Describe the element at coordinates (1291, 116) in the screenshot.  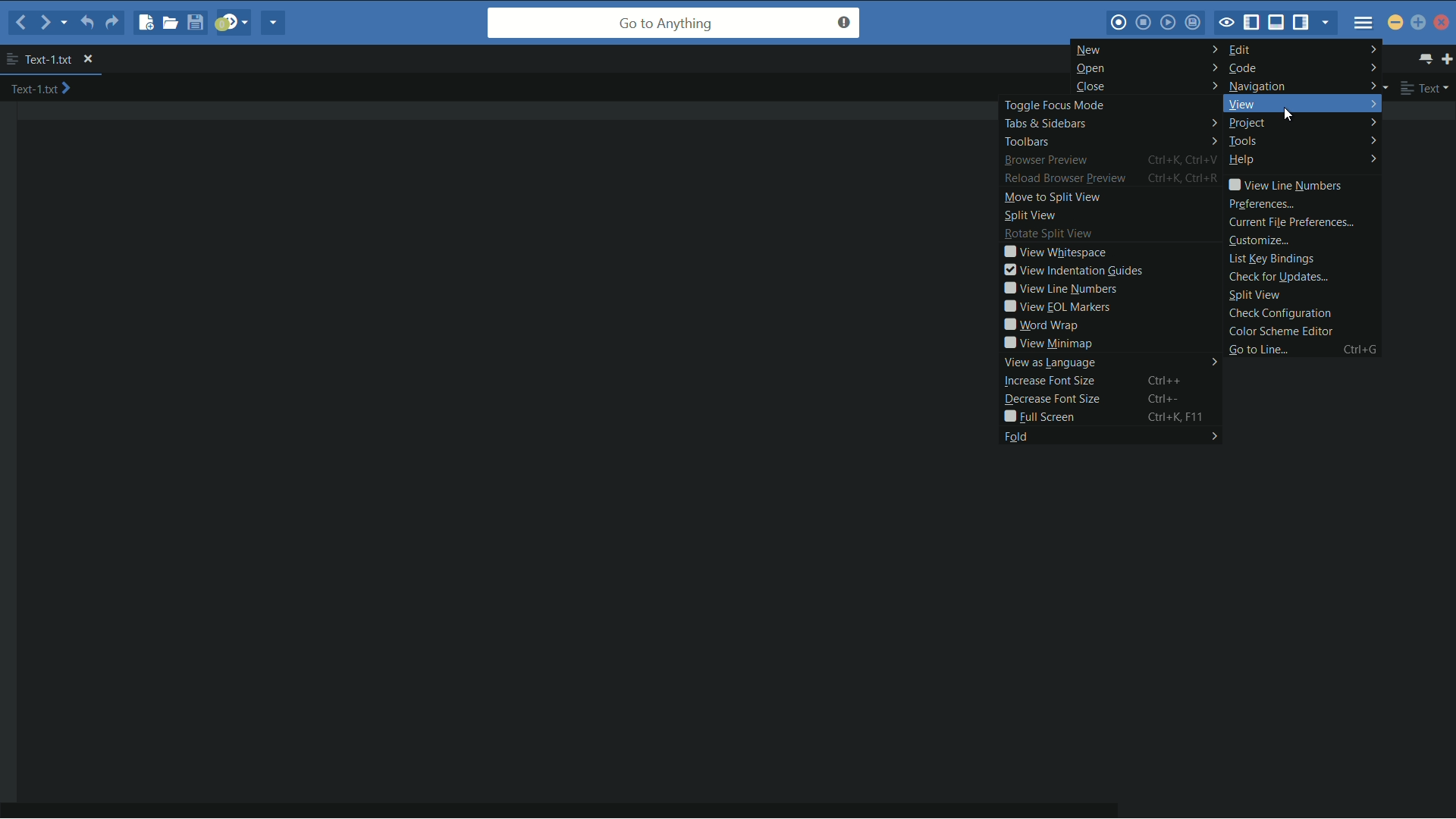
I see `cursor` at that location.